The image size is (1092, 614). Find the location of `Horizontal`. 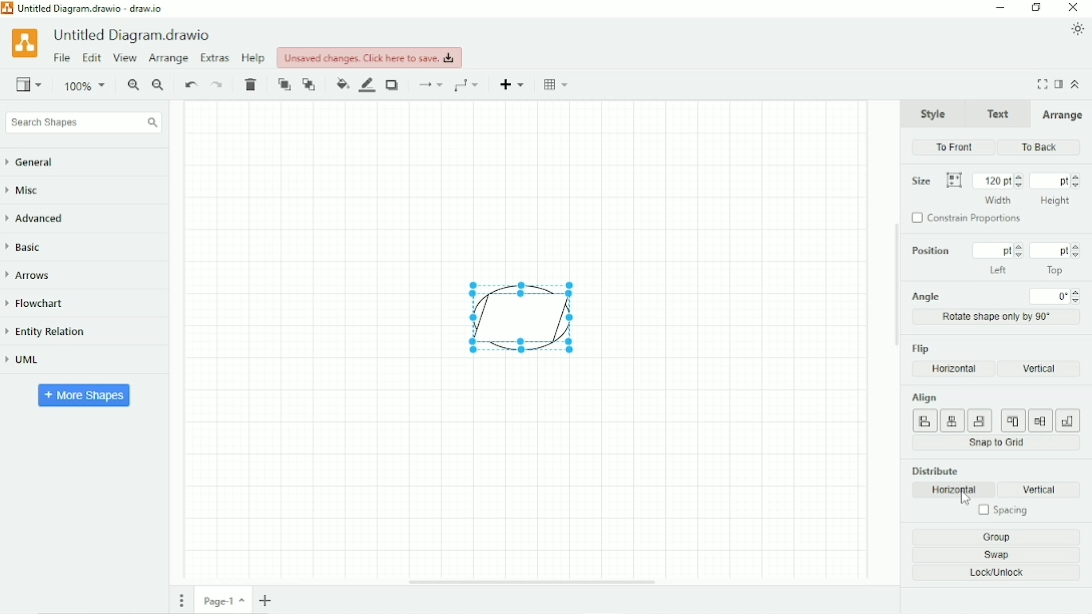

Horizontal is located at coordinates (955, 490).